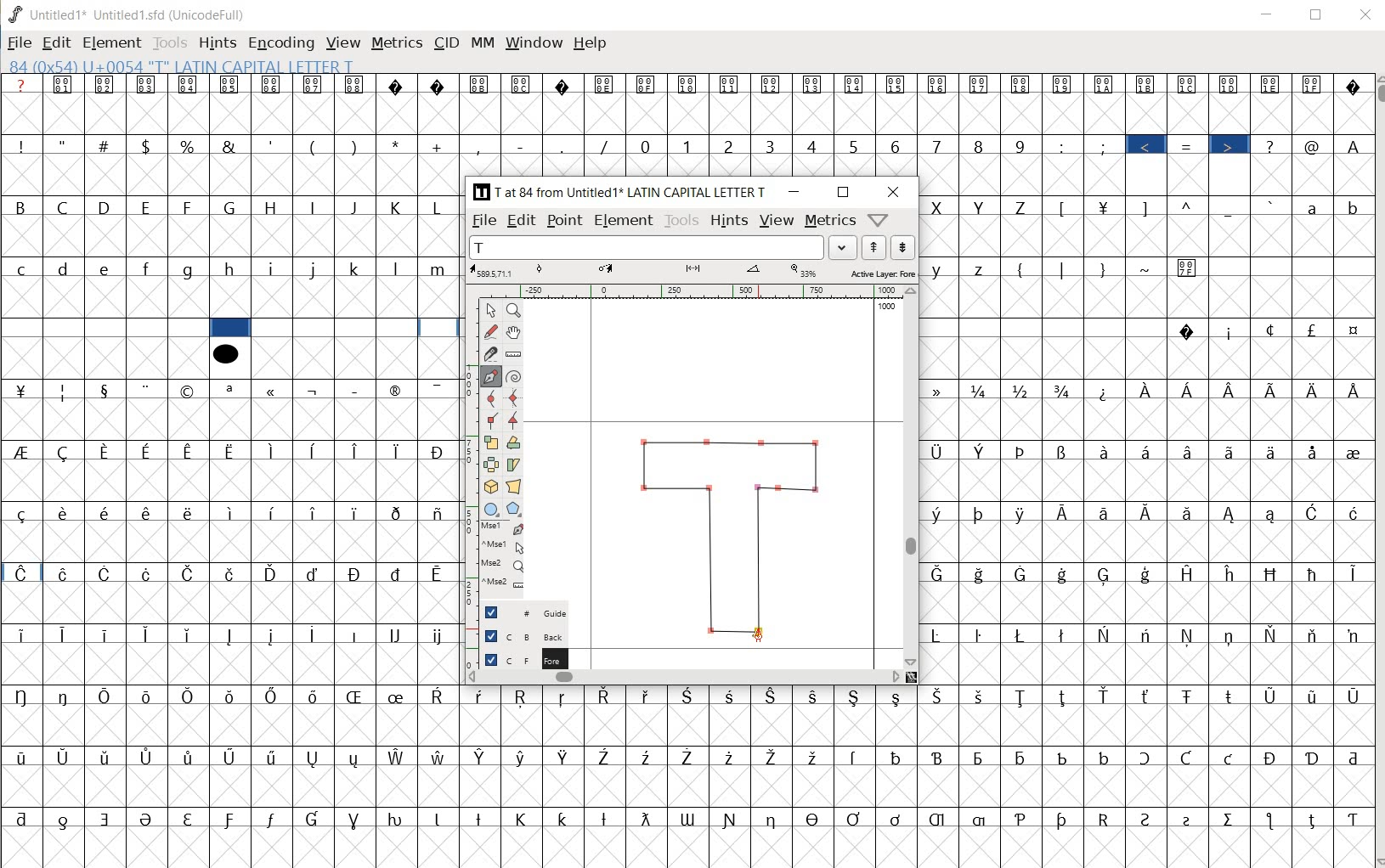 The width and height of the screenshot is (1385, 868). What do you see at coordinates (491, 375) in the screenshot?
I see `pen` at bounding box center [491, 375].